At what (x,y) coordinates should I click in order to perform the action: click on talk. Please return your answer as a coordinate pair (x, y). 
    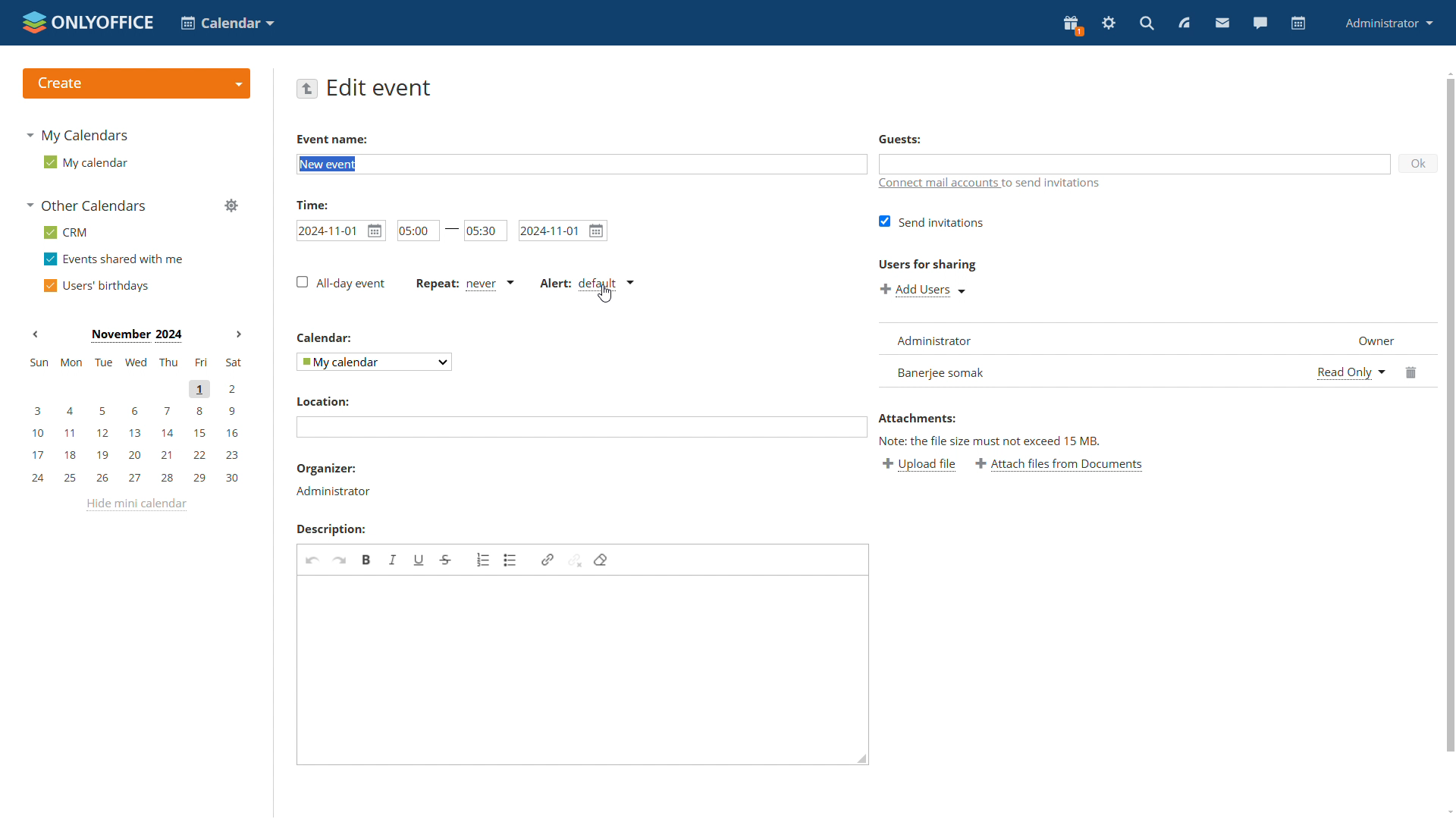
    Looking at the image, I should click on (1260, 23).